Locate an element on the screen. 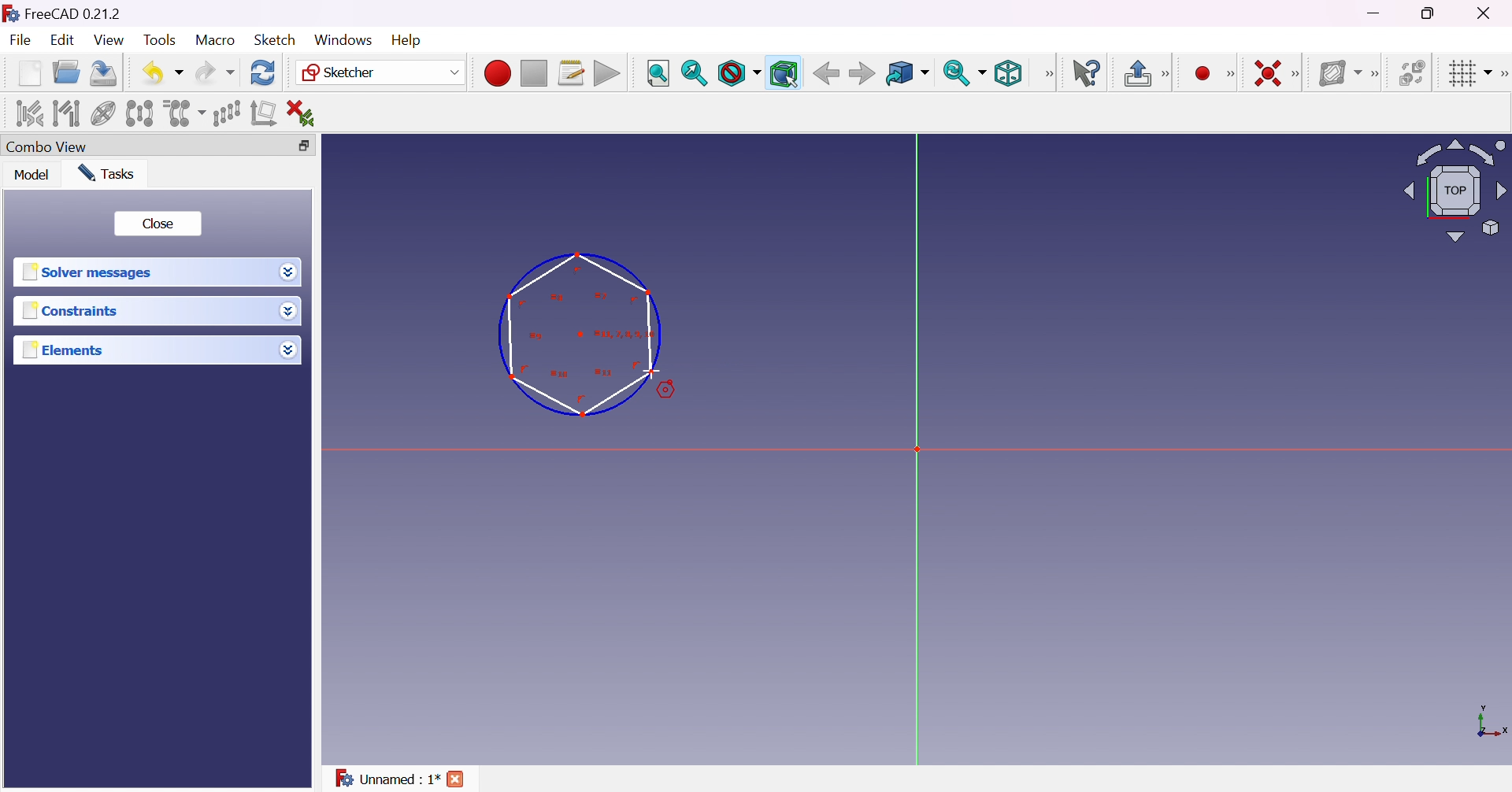  [Sketcher B-spline tools] is located at coordinates (1373, 75).